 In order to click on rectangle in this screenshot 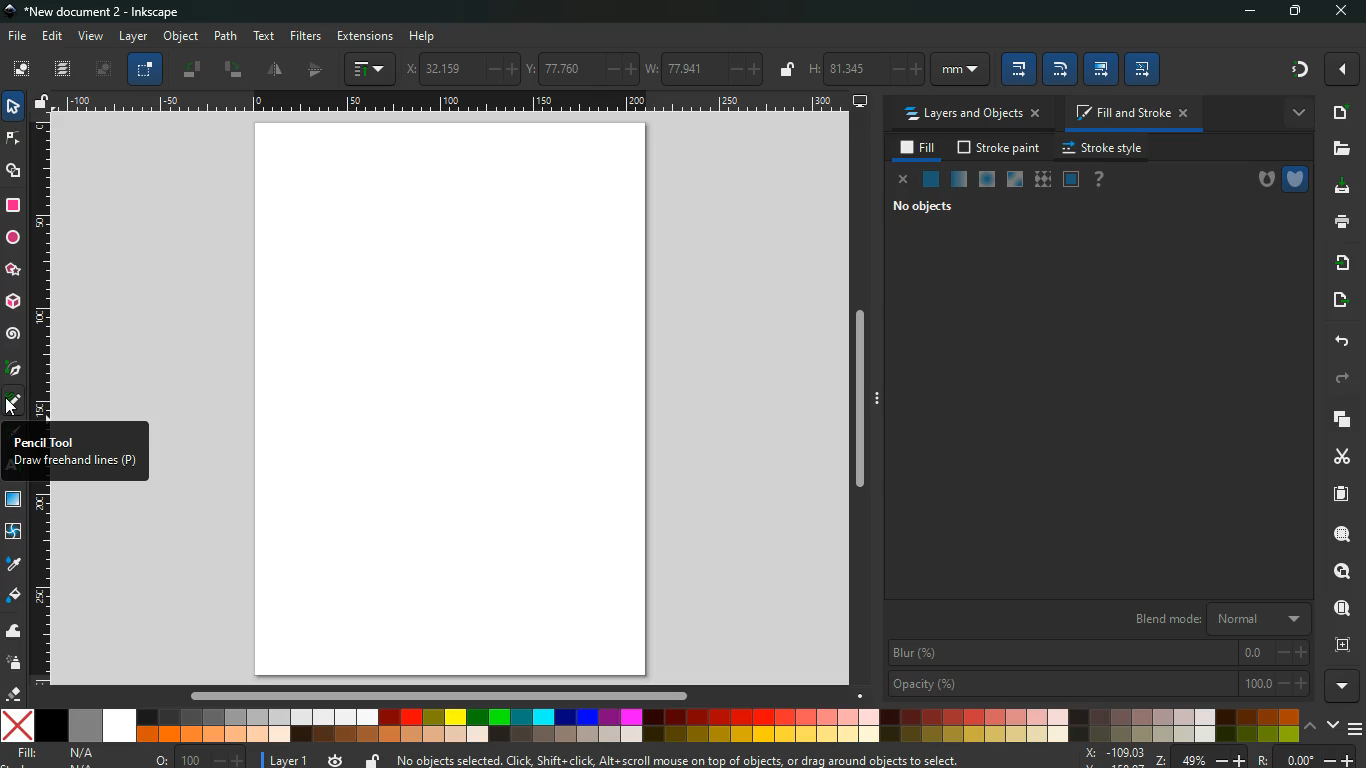, I will do `click(13, 207)`.